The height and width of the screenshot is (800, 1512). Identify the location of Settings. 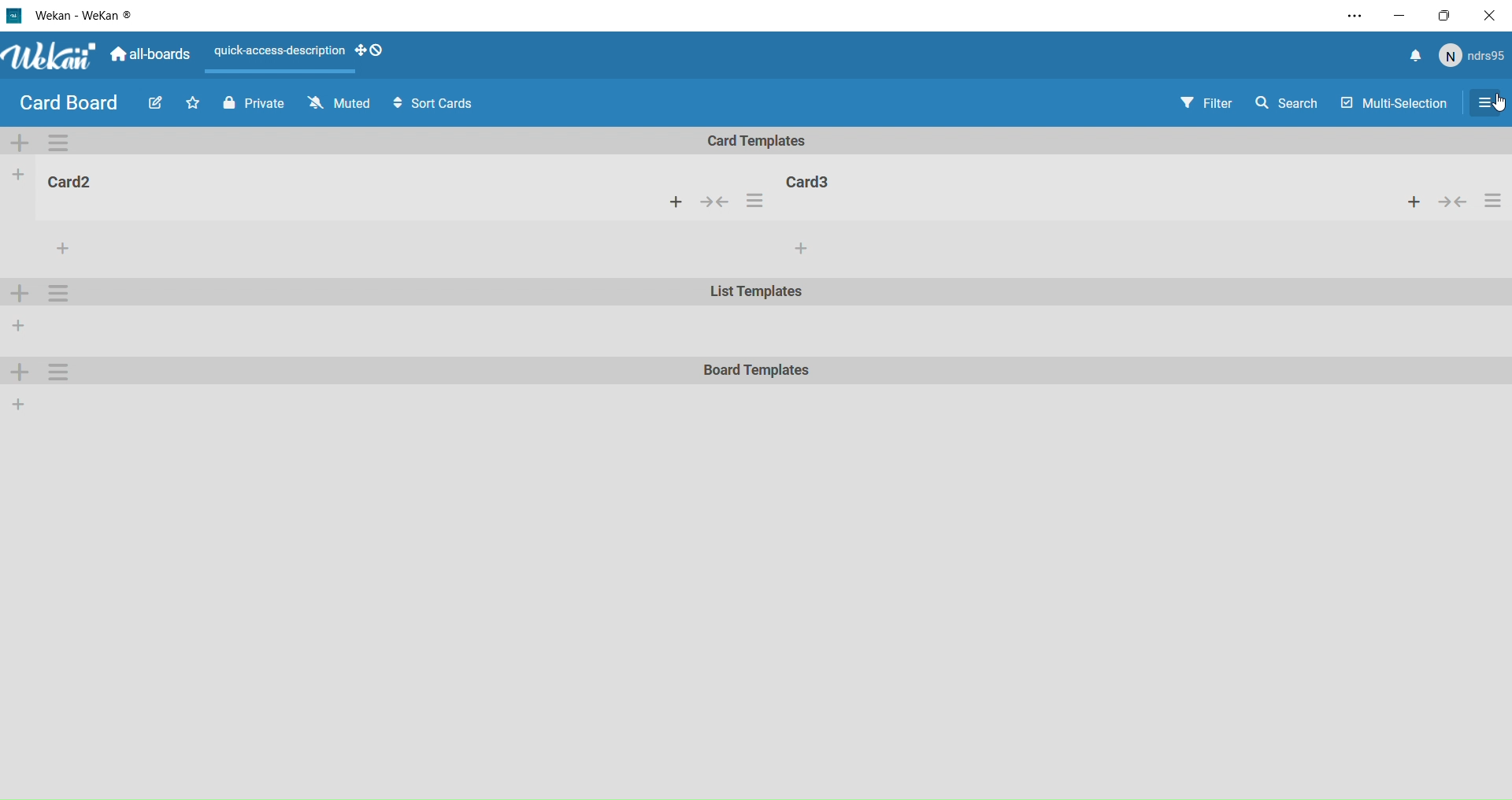
(61, 372).